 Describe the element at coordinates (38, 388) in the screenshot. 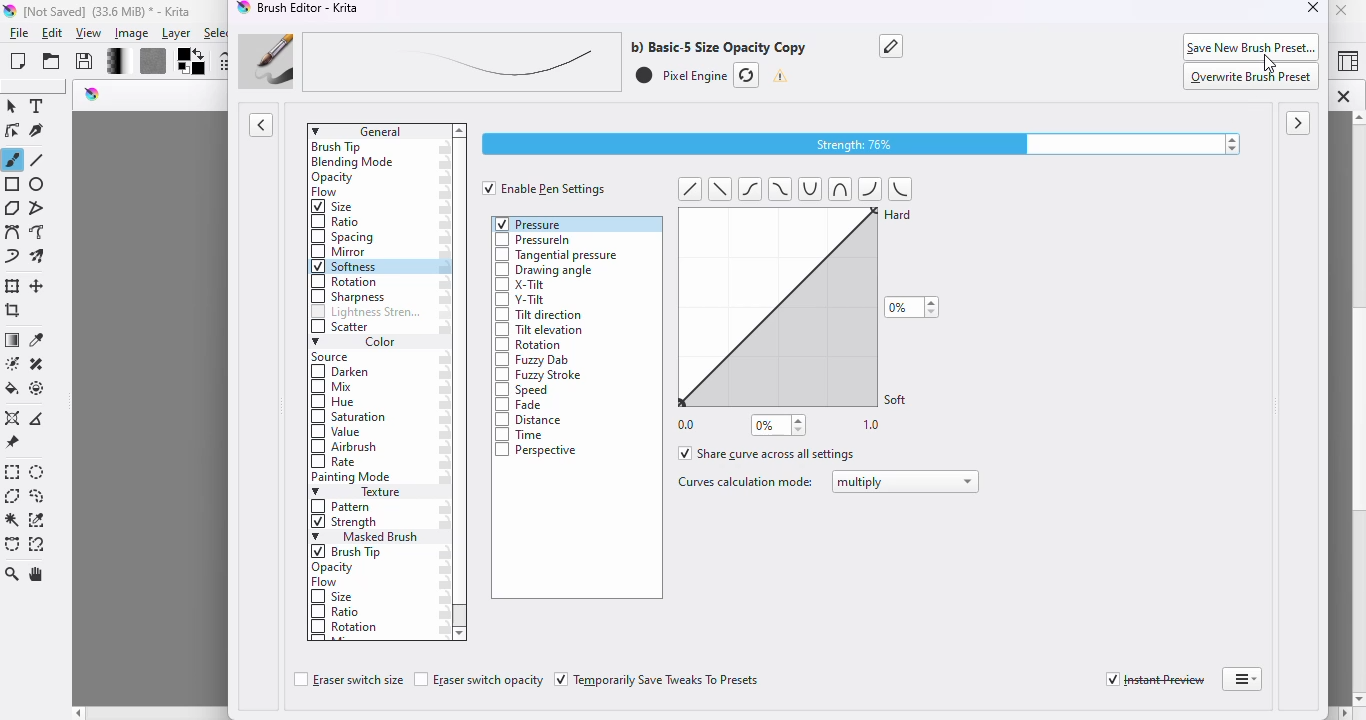

I see `enclose and fill tool` at that location.